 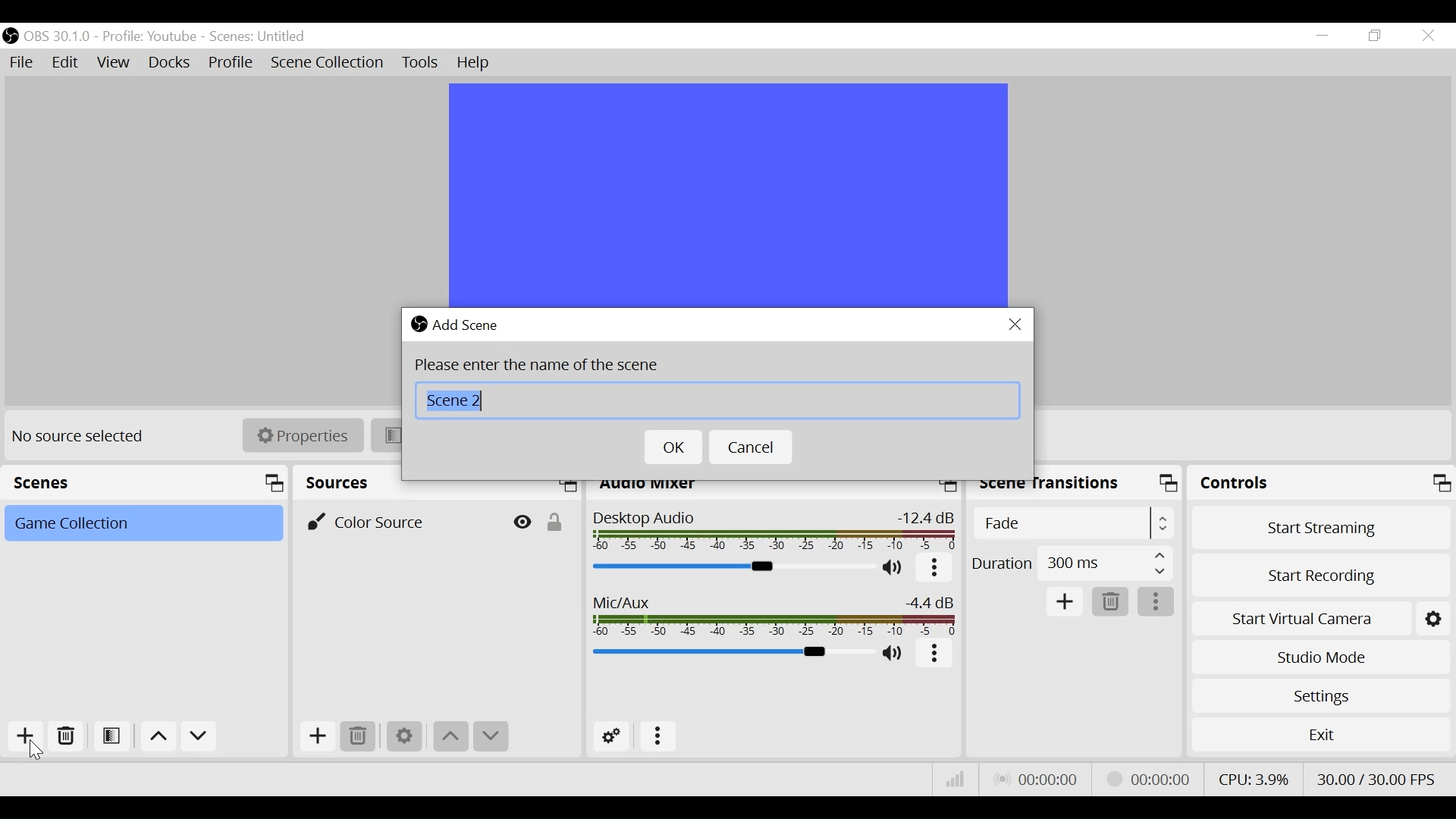 What do you see at coordinates (1158, 602) in the screenshot?
I see `more options` at bounding box center [1158, 602].